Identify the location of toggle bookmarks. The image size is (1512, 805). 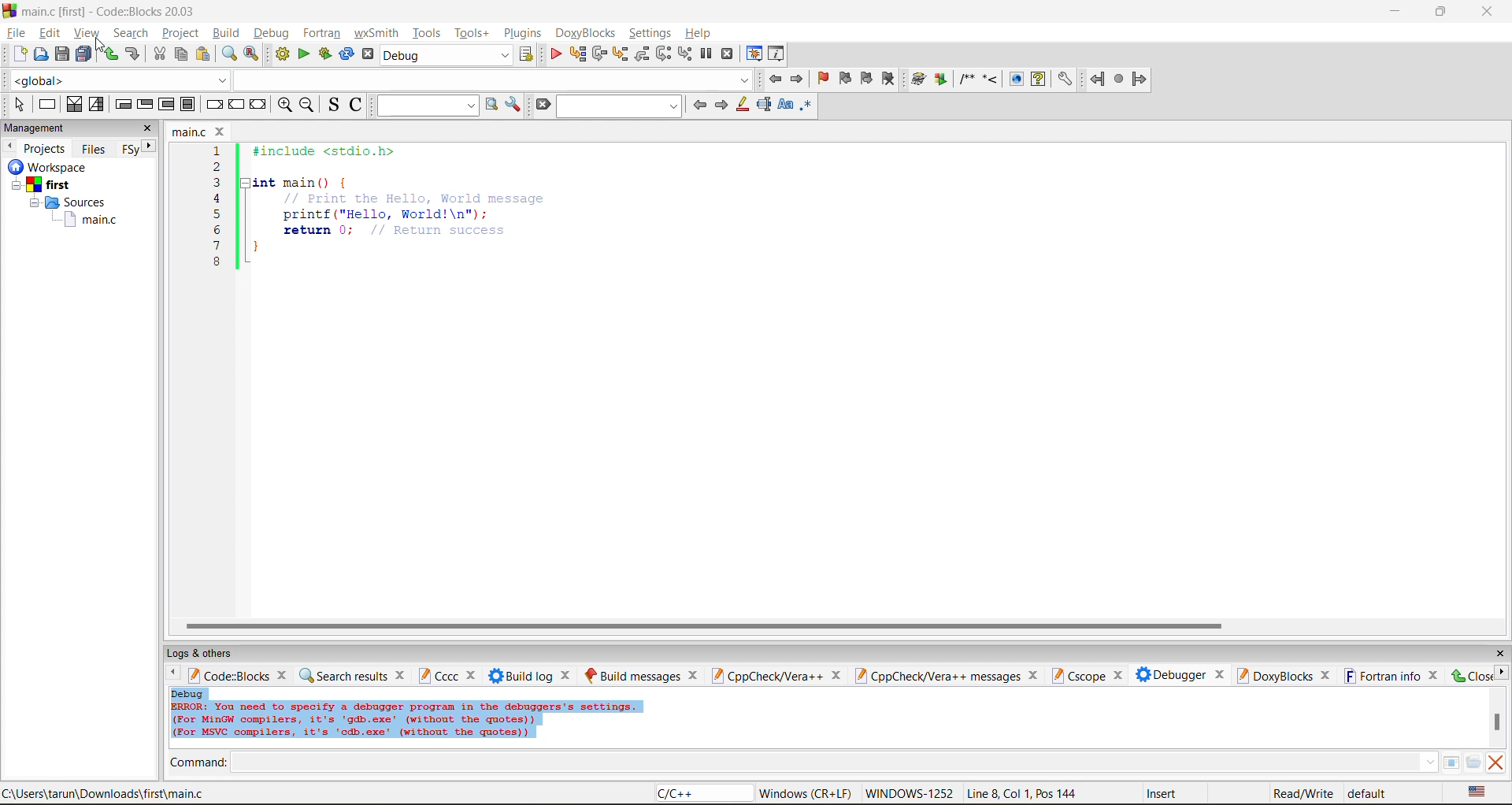
(822, 82).